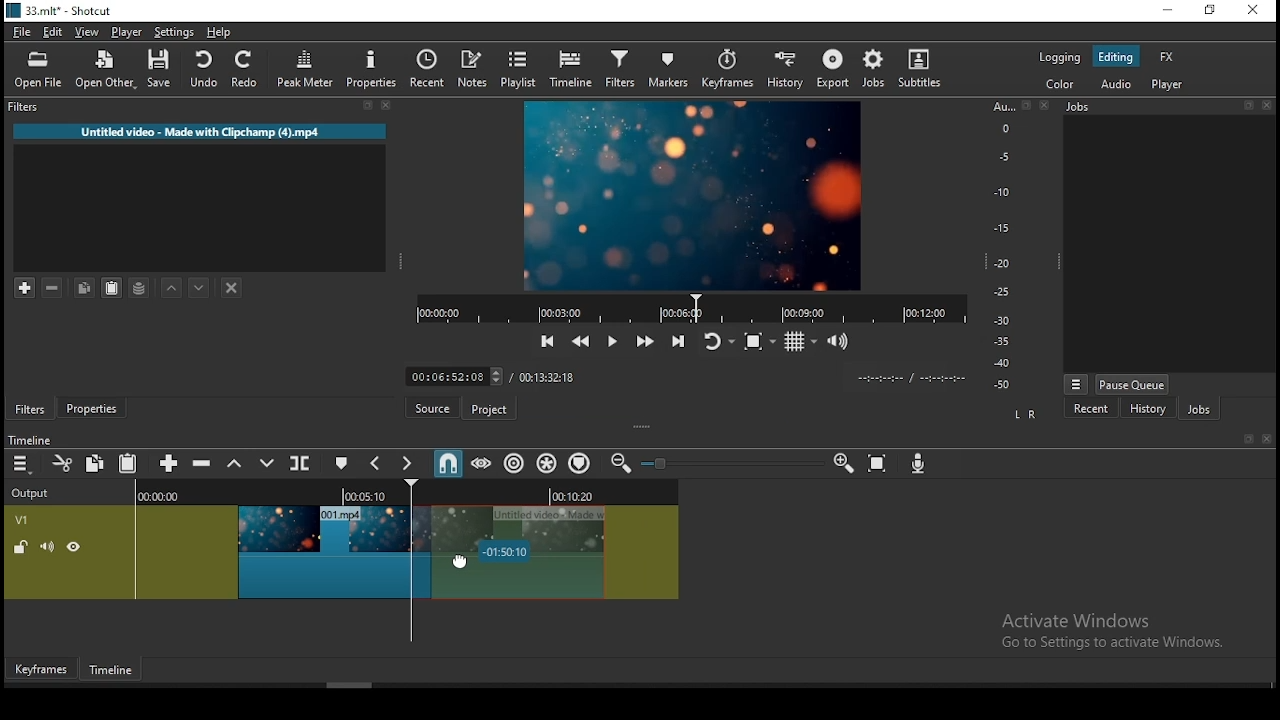 The width and height of the screenshot is (1280, 720). What do you see at coordinates (207, 464) in the screenshot?
I see `ripple delete` at bounding box center [207, 464].